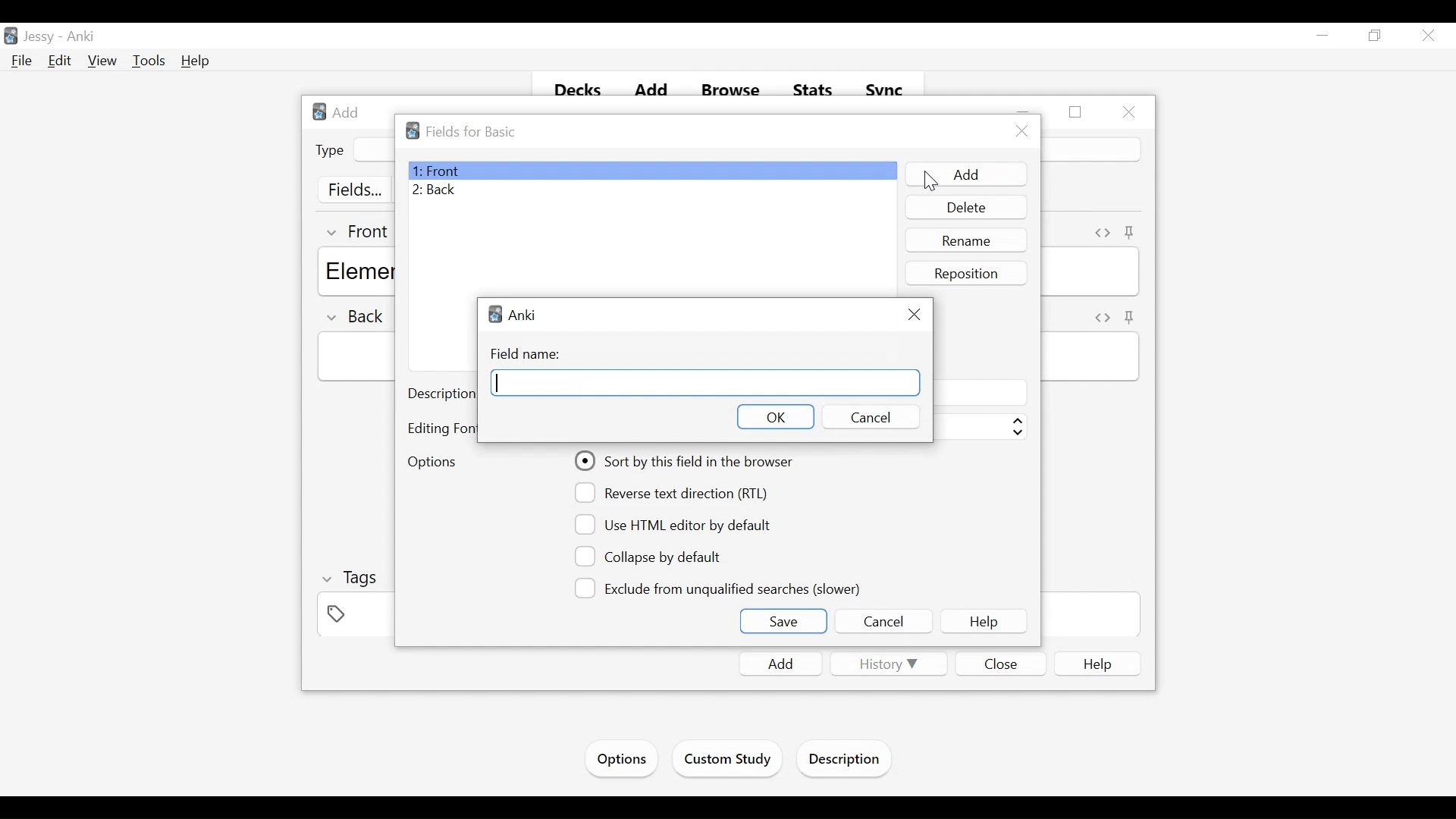 The width and height of the screenshot is (1456, 819). What do you see at coordinates (720, 588) in the screenshot?
I see `(un)select Exclude from unqualified searches (slower)` at bounding box center [720, 588].